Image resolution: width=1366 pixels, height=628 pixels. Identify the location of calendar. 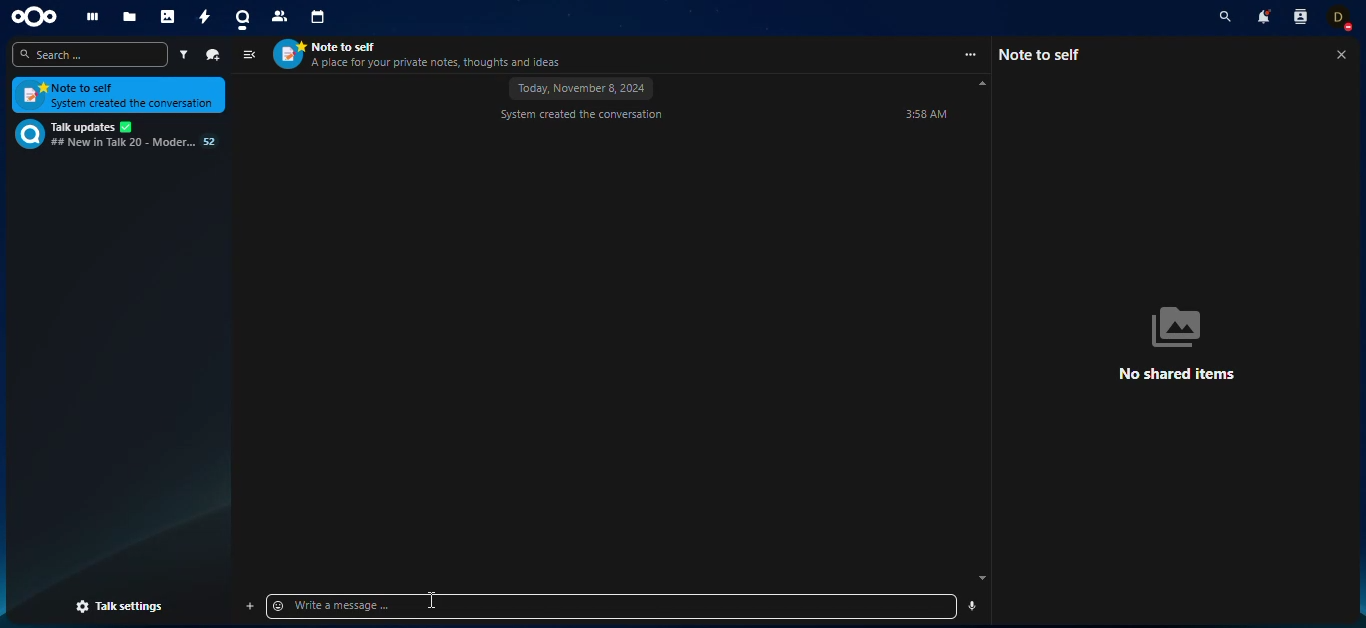
(319, 19).